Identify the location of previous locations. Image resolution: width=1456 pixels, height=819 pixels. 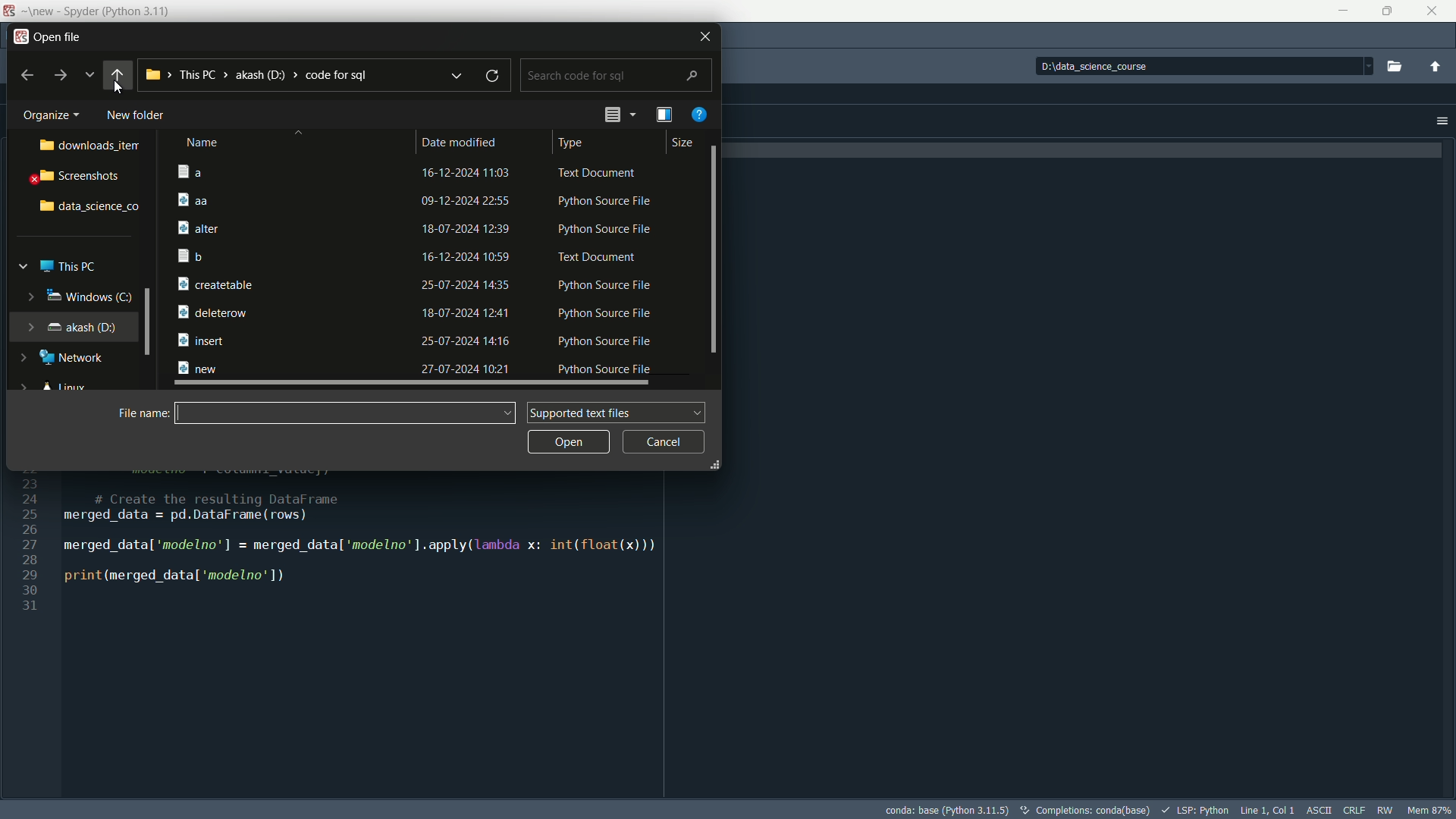
(456, 73).